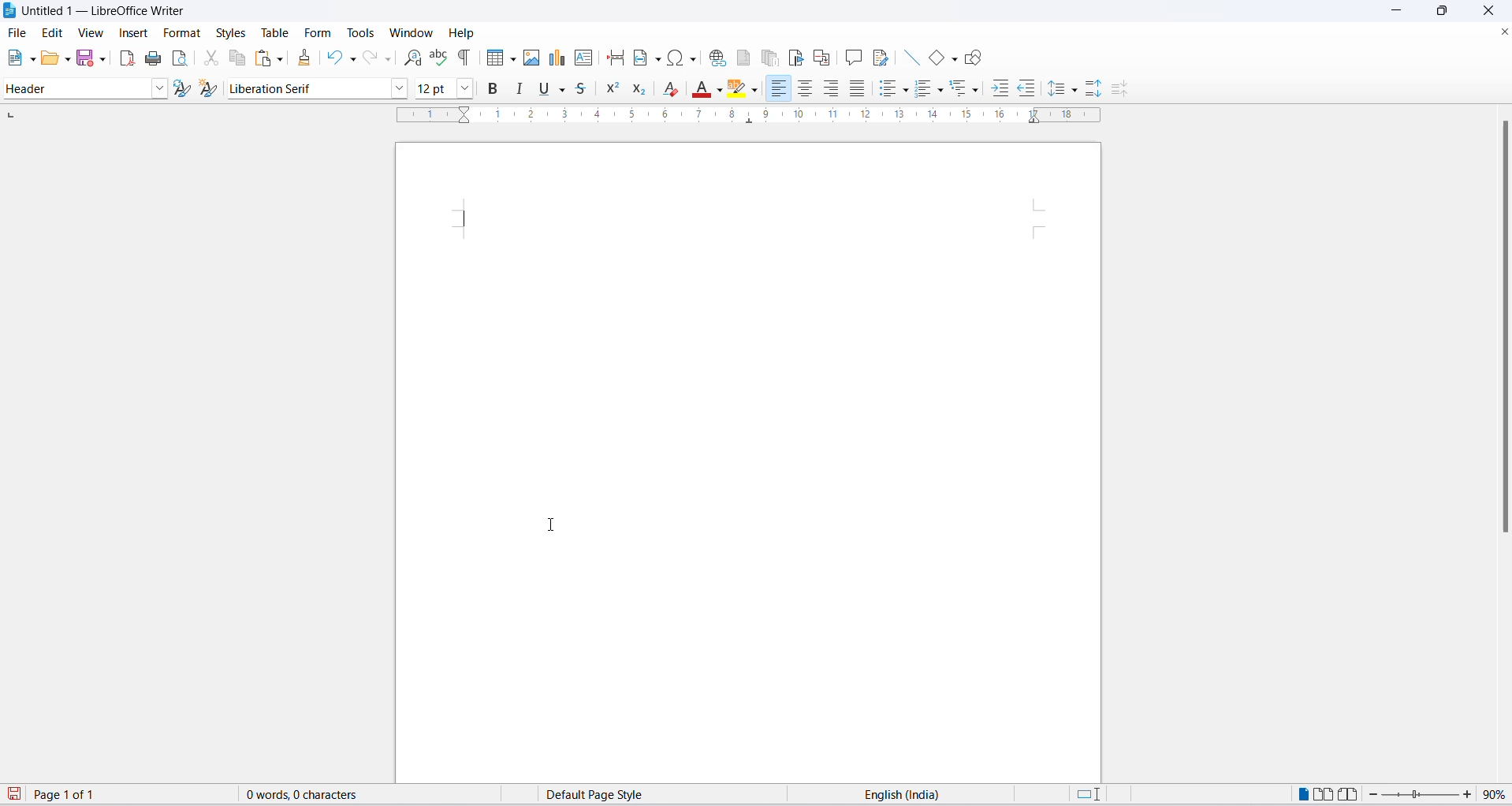  I want to click on strike through, so click(587, 88).